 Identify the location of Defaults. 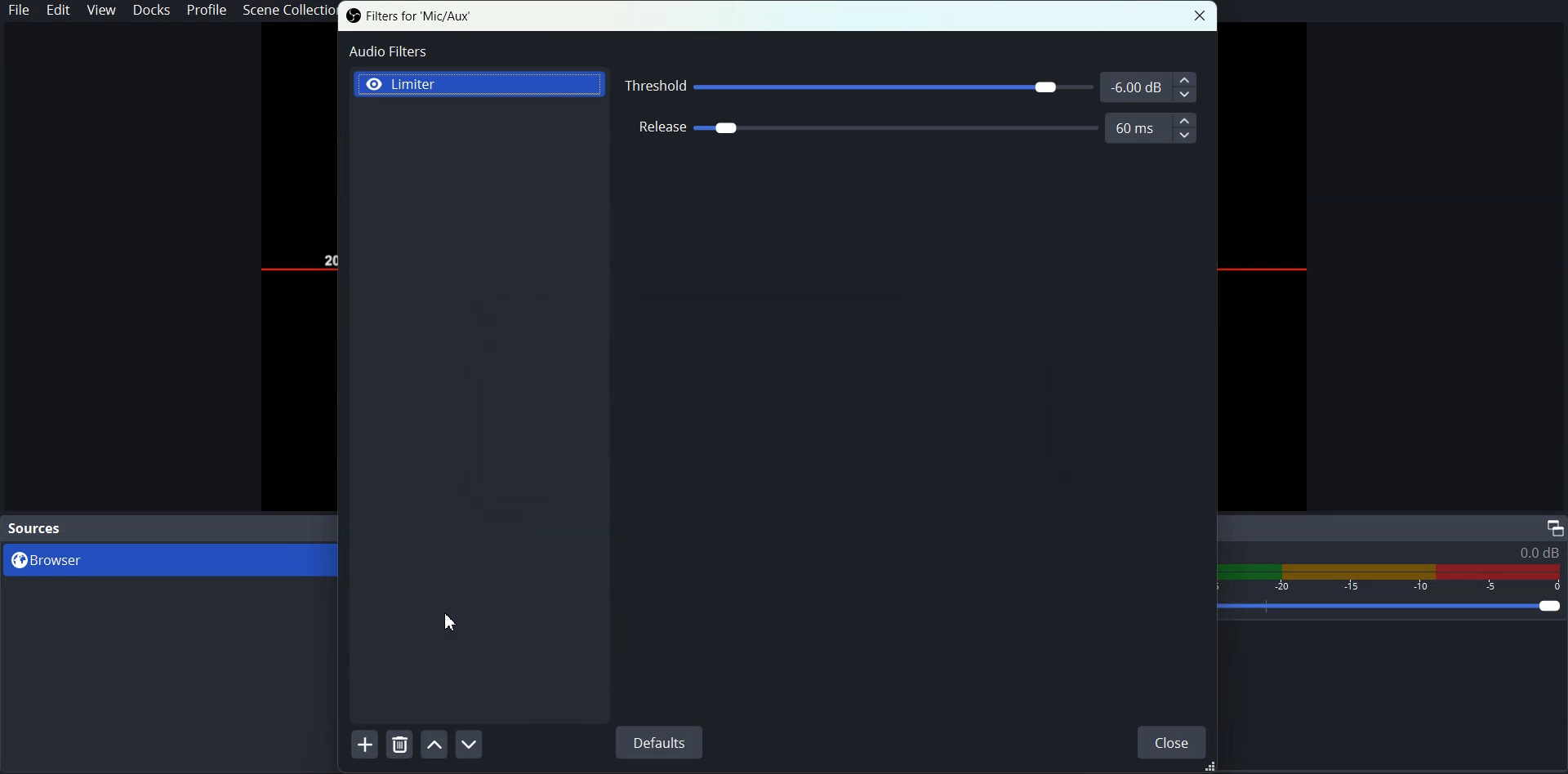
(658, 742).